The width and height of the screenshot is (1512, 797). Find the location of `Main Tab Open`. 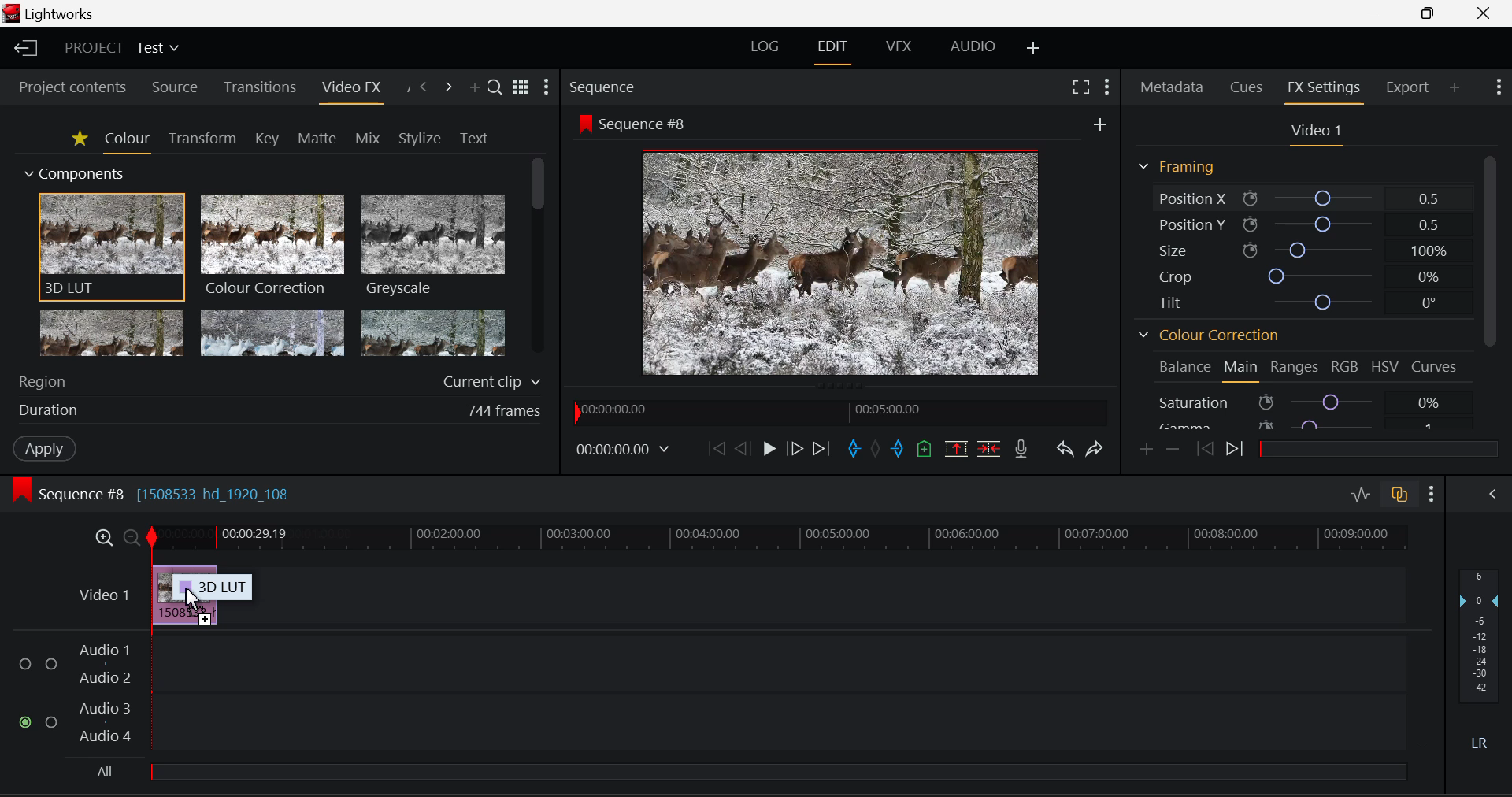

Main Tab Open is located at coordinates (1241, 371).